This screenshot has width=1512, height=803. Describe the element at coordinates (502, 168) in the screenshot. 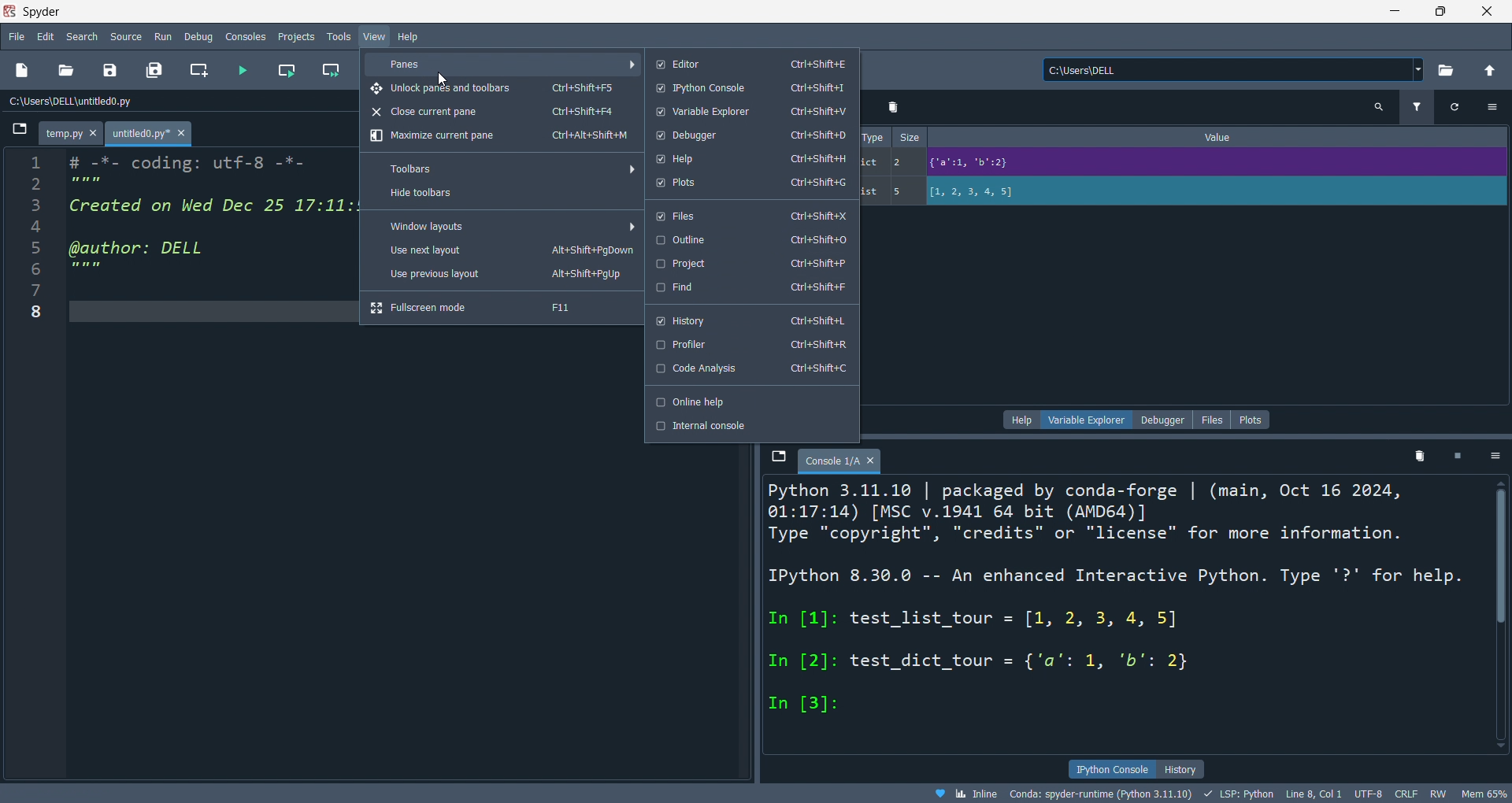

I see `toolbars` at that location.